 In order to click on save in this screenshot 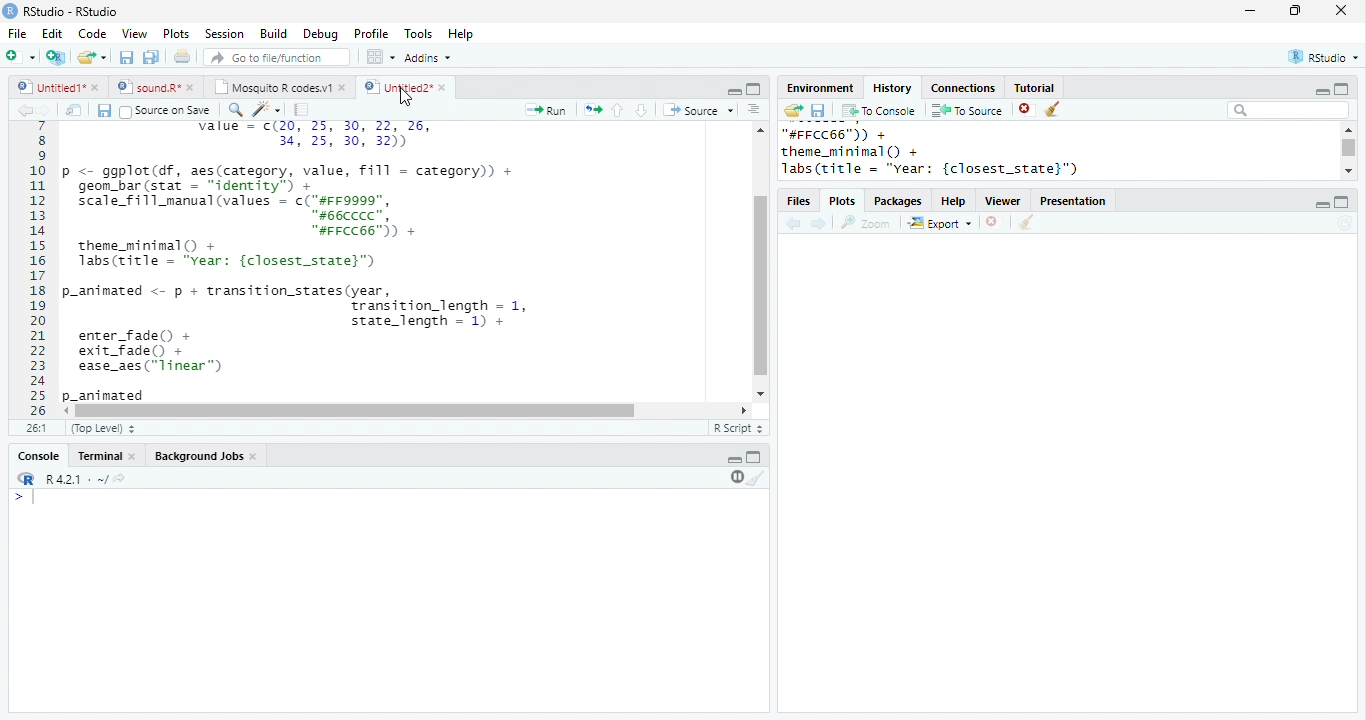, I will do `click(126, 57)`.